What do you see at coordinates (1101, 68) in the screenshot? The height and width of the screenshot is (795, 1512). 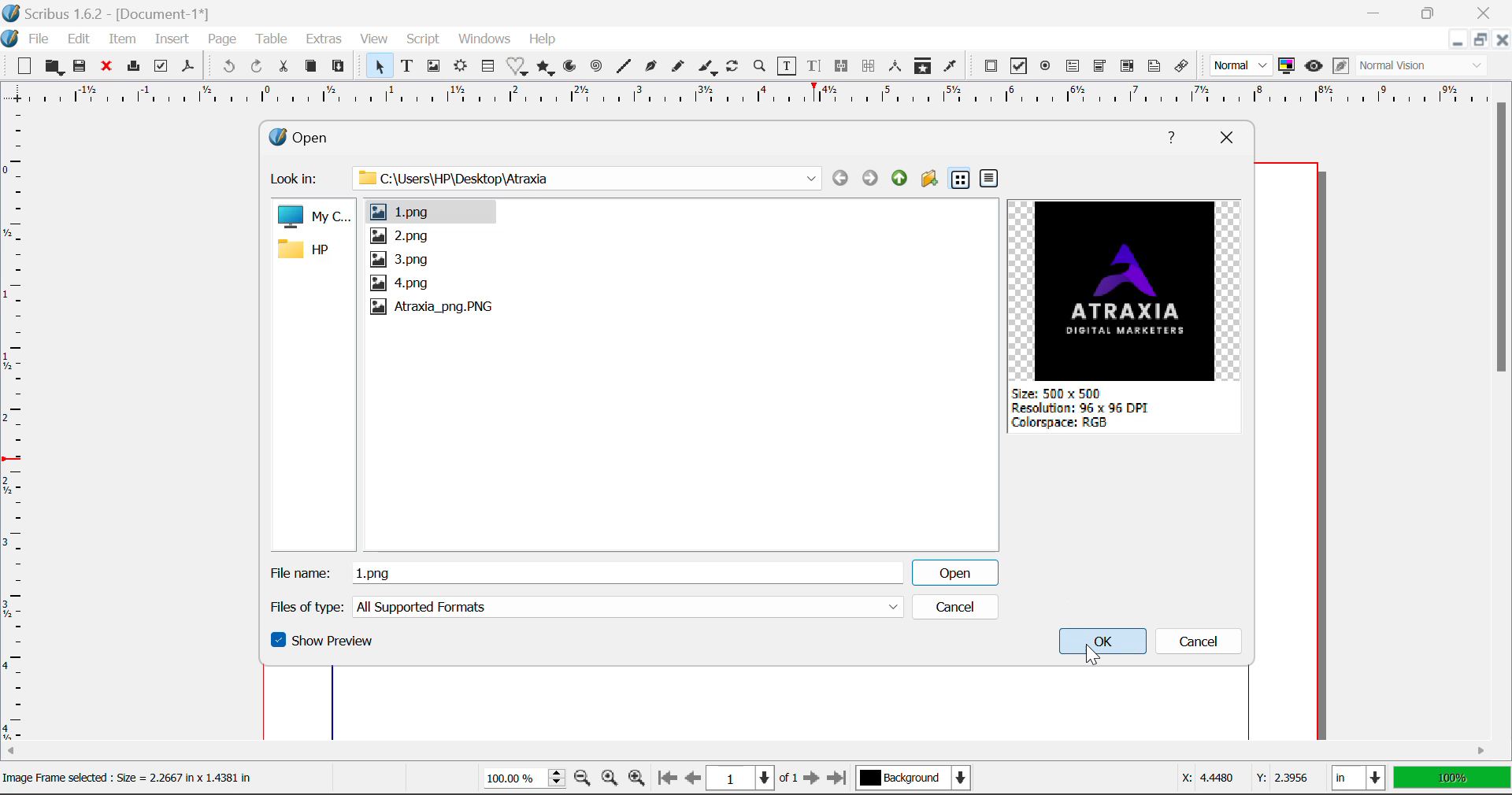 I see `Pdf Combobox` at bounding box center [1101, 68].